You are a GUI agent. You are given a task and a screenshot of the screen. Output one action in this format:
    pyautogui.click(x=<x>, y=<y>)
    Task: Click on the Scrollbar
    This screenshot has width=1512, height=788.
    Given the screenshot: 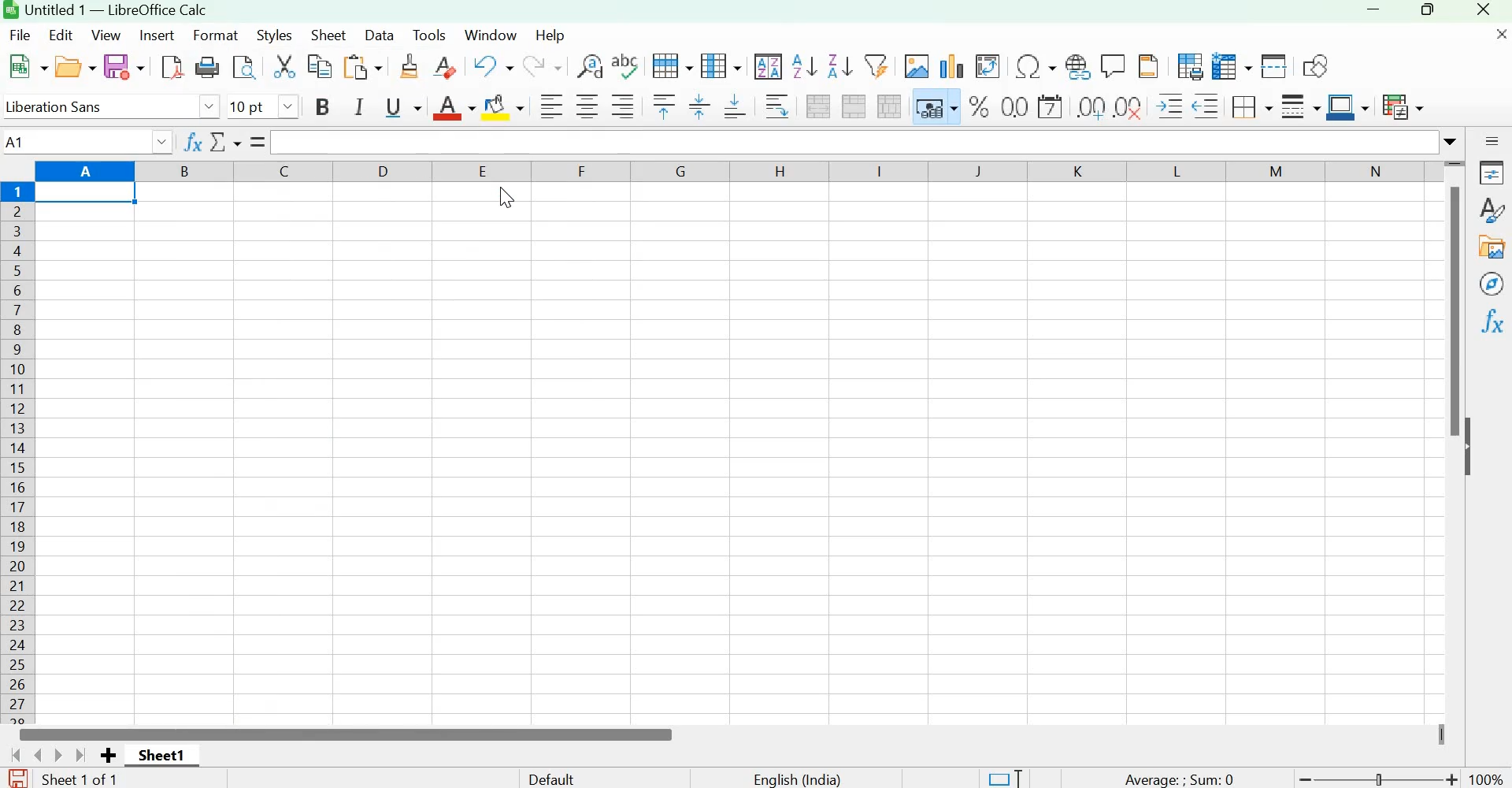 What is the action you would take?
    pyautogui.click(x=349, y=734)
    